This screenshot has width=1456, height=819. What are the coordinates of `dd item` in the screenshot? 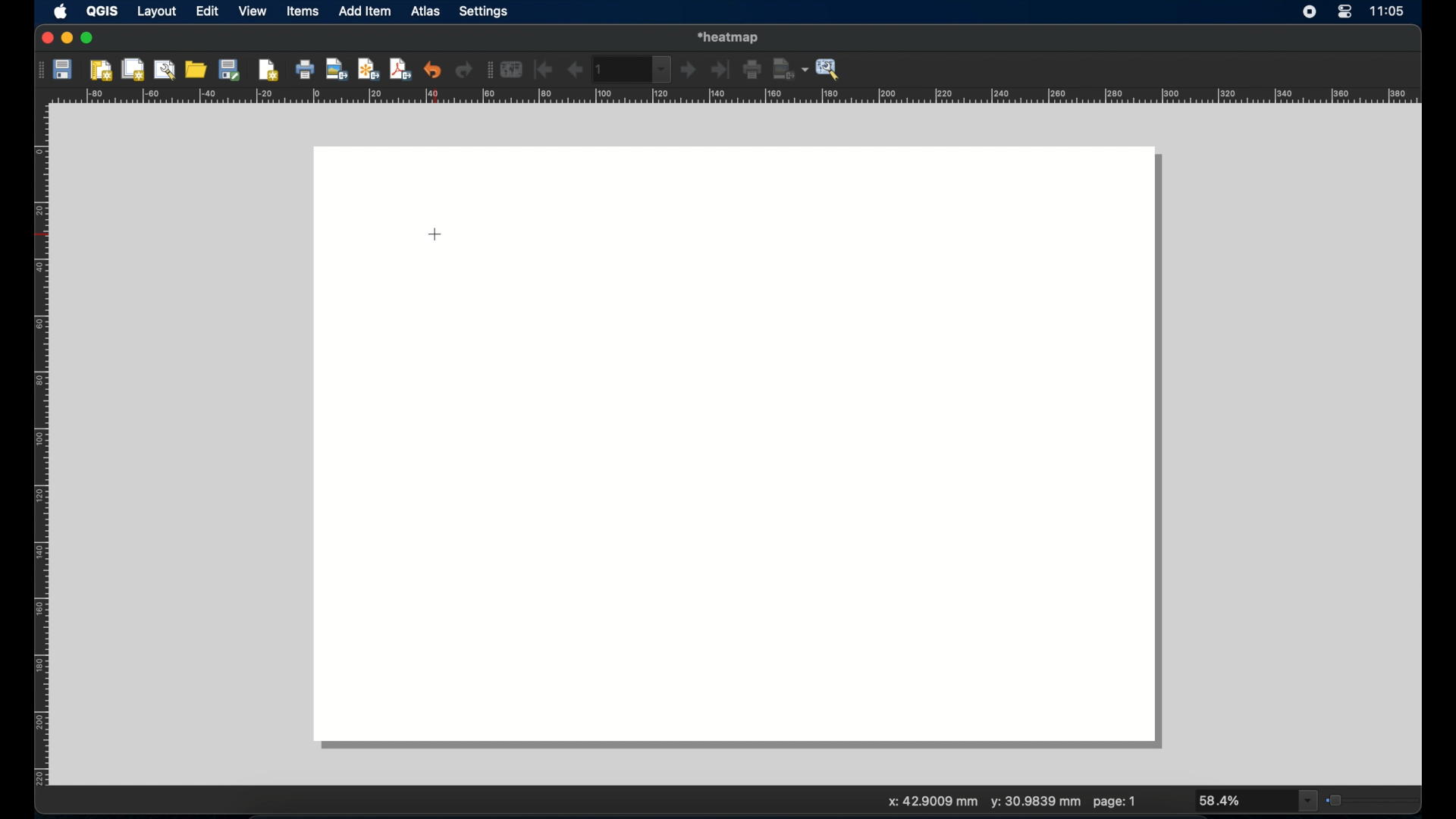 It's located at (366, 13).